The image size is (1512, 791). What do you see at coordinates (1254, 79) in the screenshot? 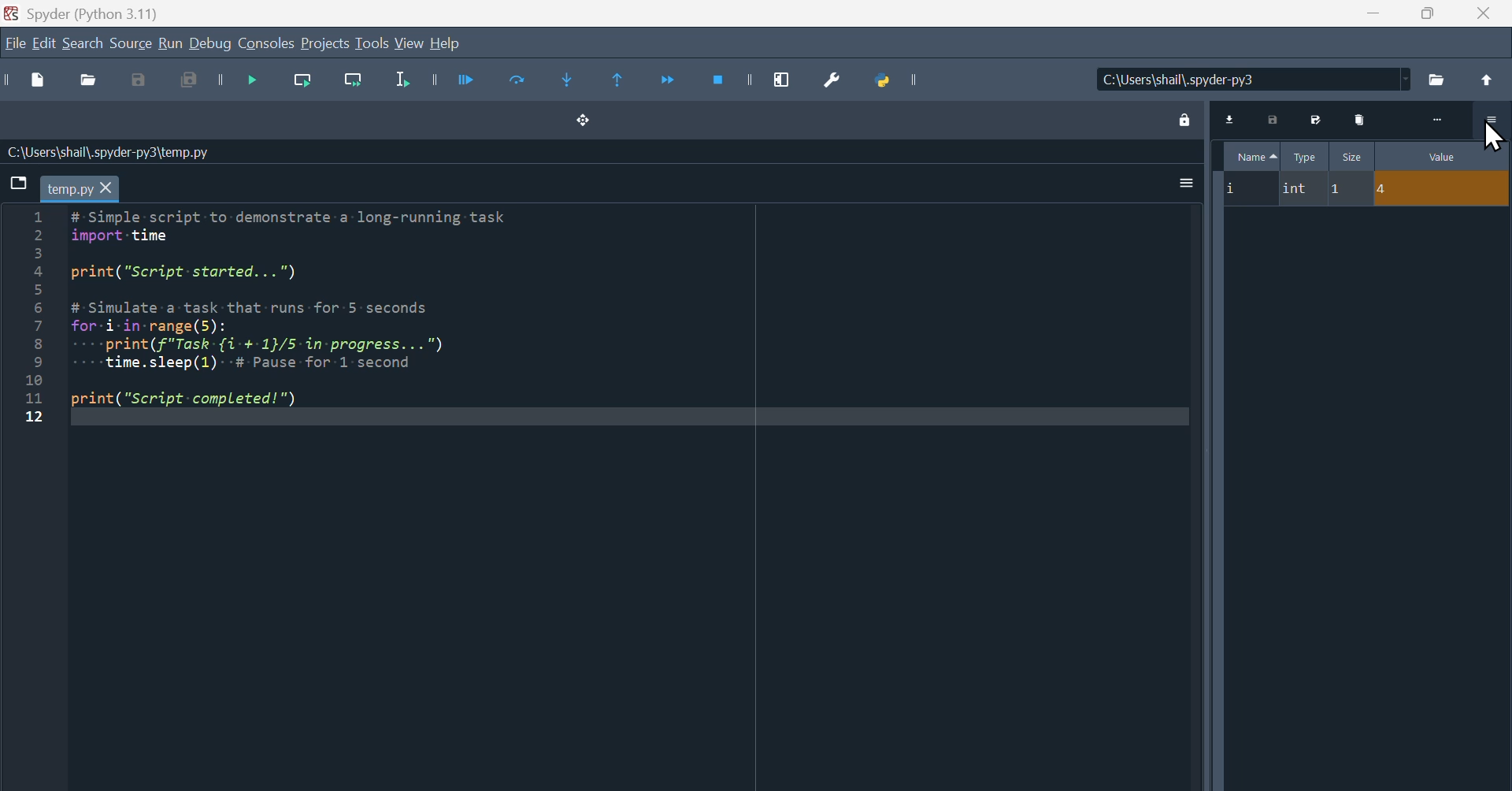
I see `Locations of the file` at bounding box center [1254, 79].